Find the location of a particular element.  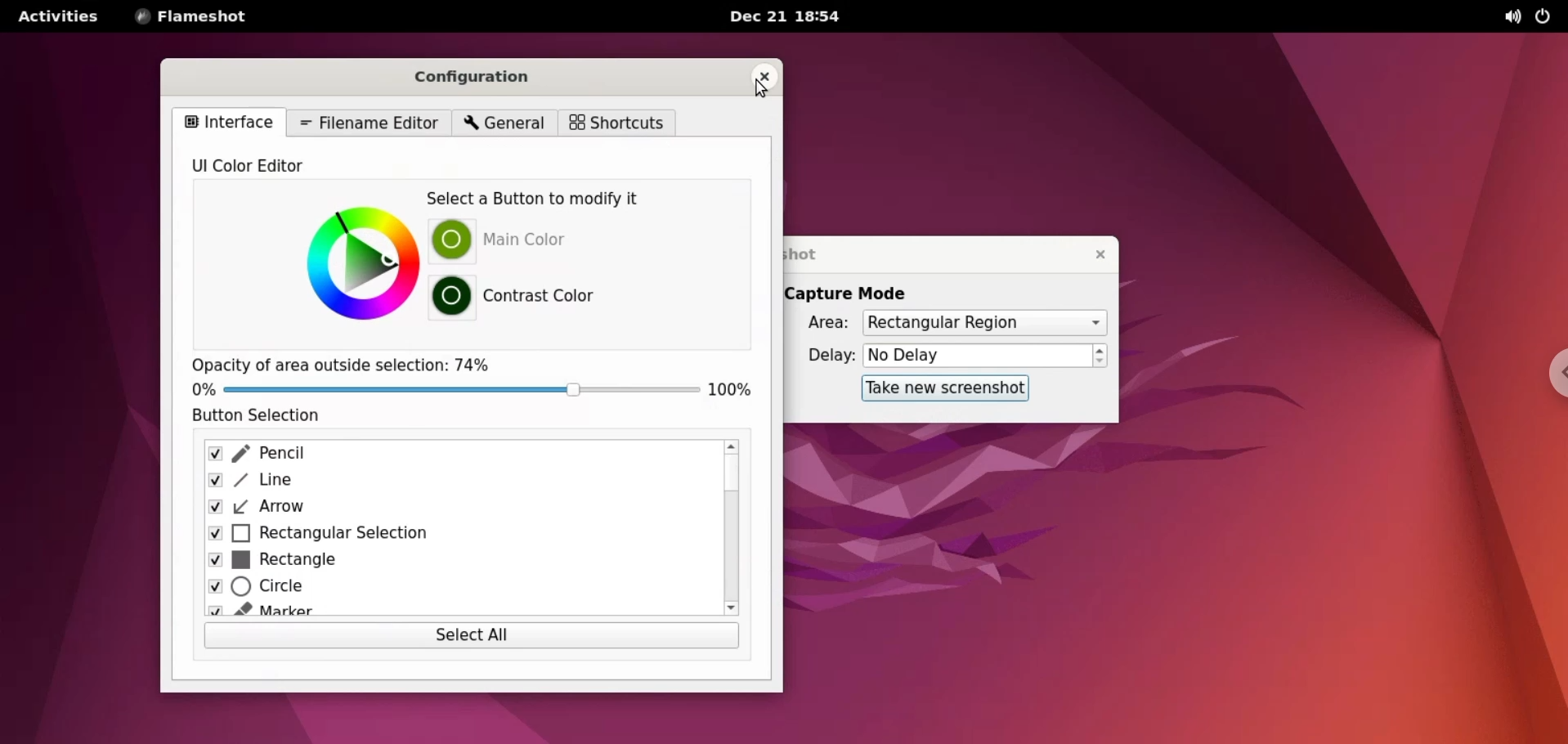

close is located at coordinates (1094, 254).